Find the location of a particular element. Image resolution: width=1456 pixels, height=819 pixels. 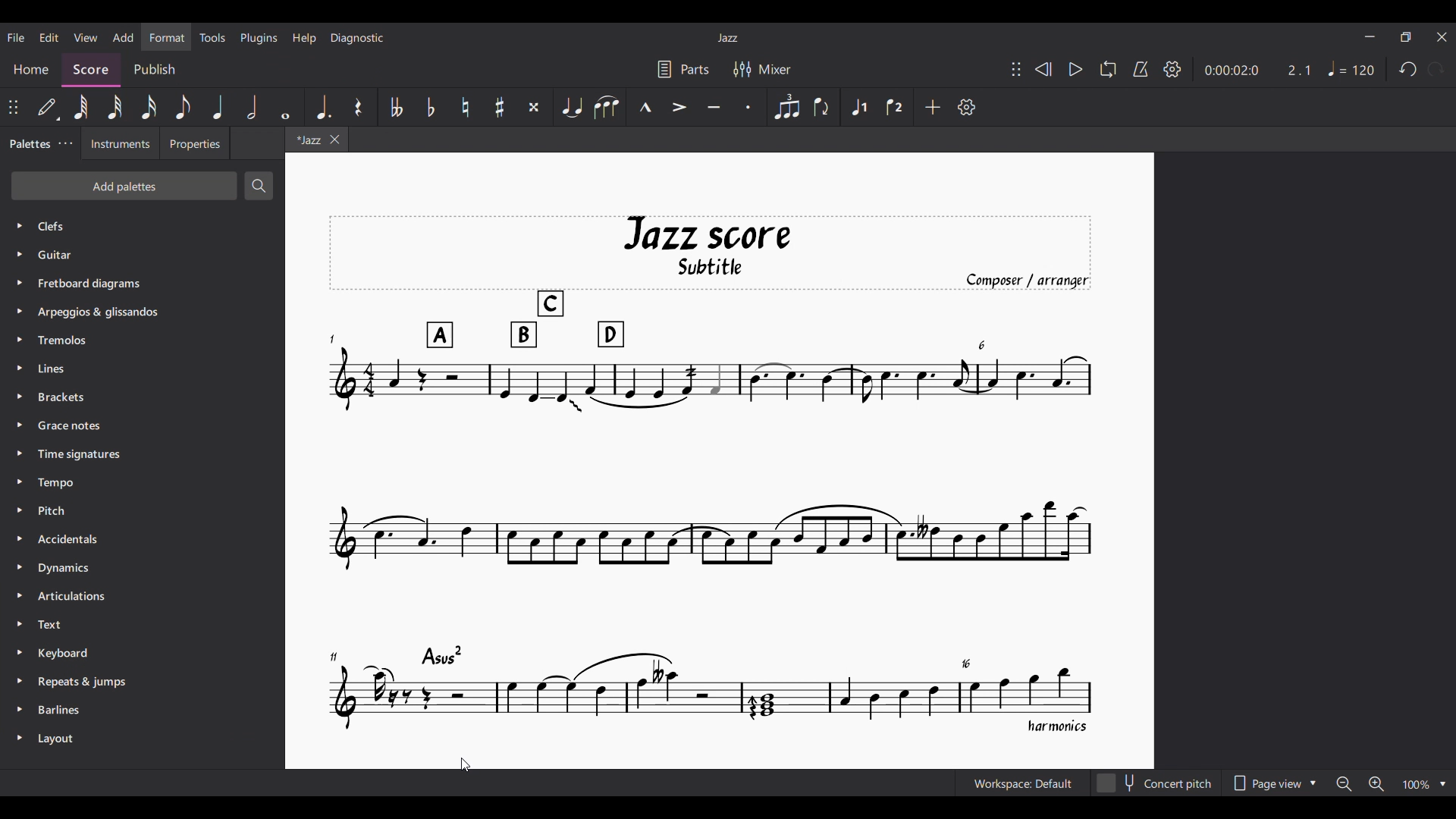

Concert pitch toggle is located at coordinates (1156, 783).